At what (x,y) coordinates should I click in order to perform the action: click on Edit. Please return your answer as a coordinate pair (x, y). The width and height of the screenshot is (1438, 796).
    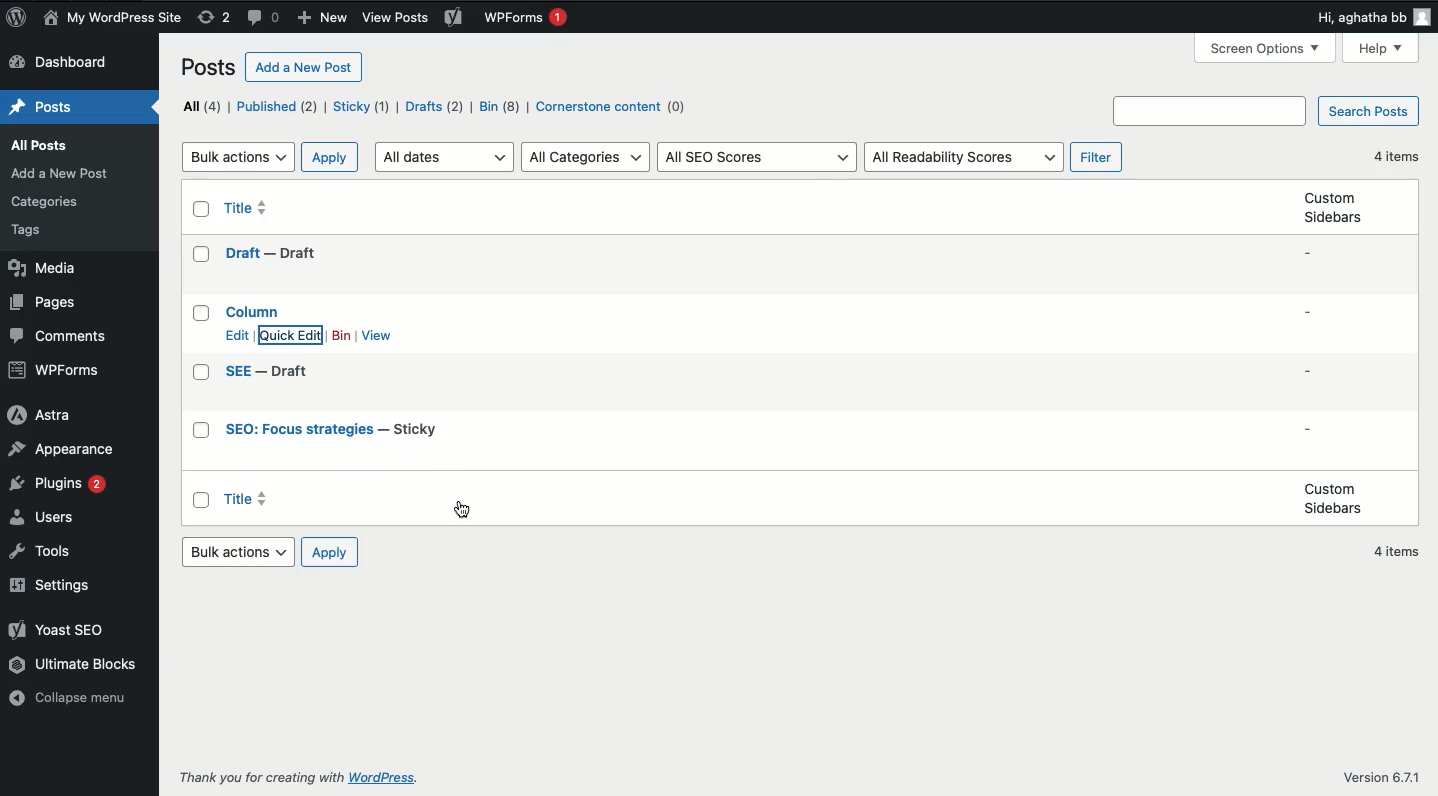
    Looking at the image, I should click on (236, 335).